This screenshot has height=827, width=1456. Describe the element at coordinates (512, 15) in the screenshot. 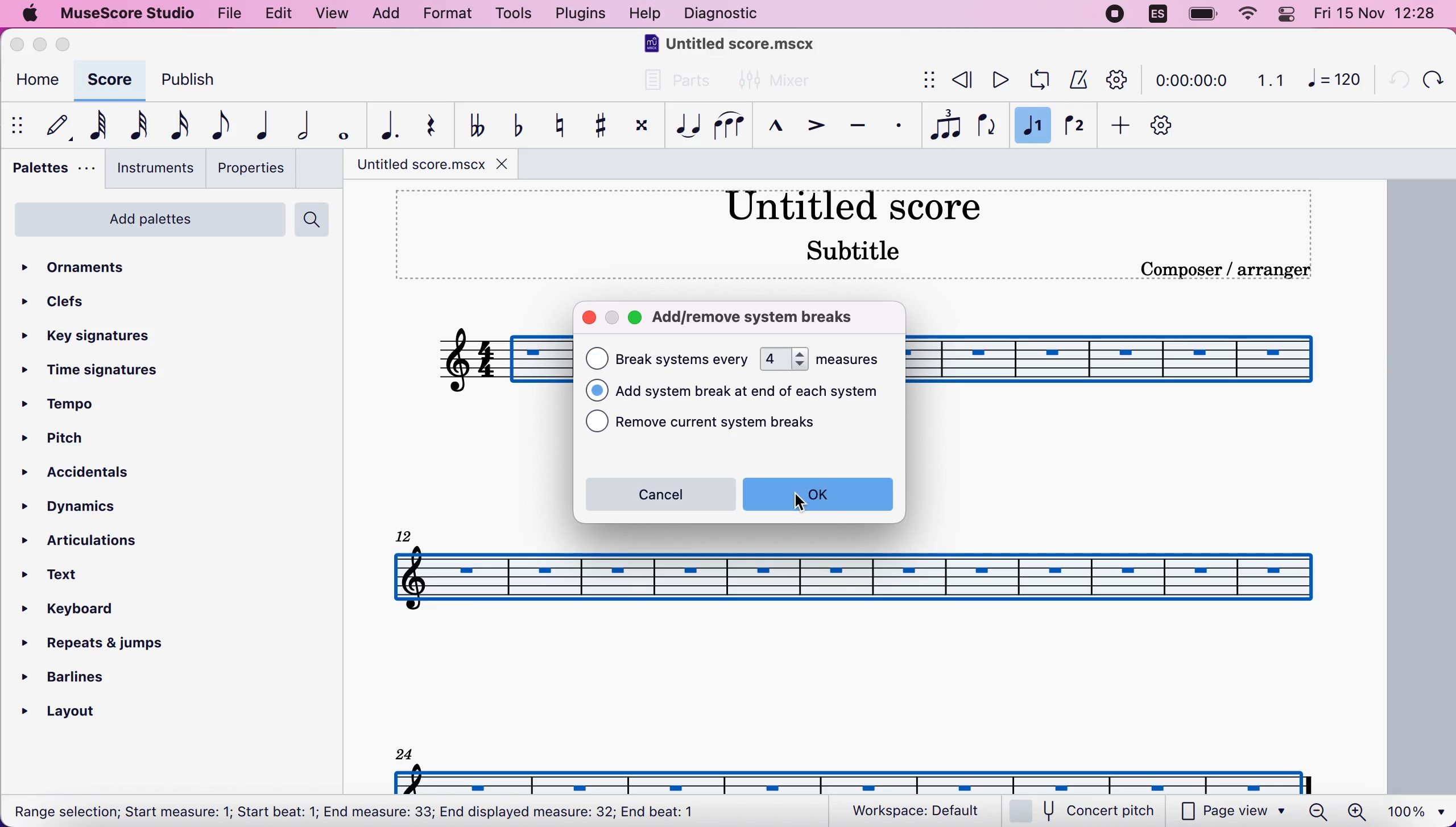

I see `tools` at that location.